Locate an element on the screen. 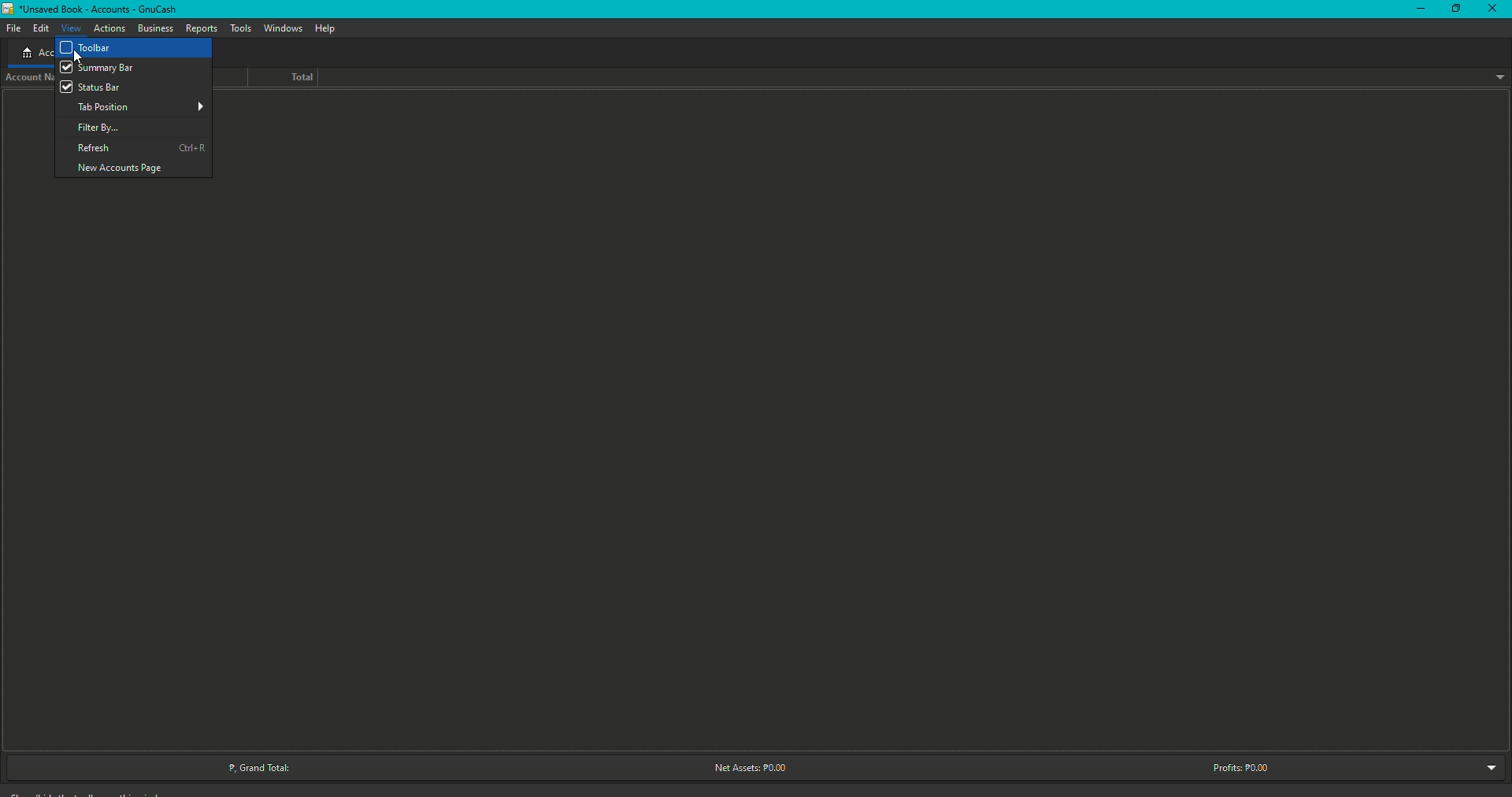  Ctrl + R is located at coordinates (194, 146).